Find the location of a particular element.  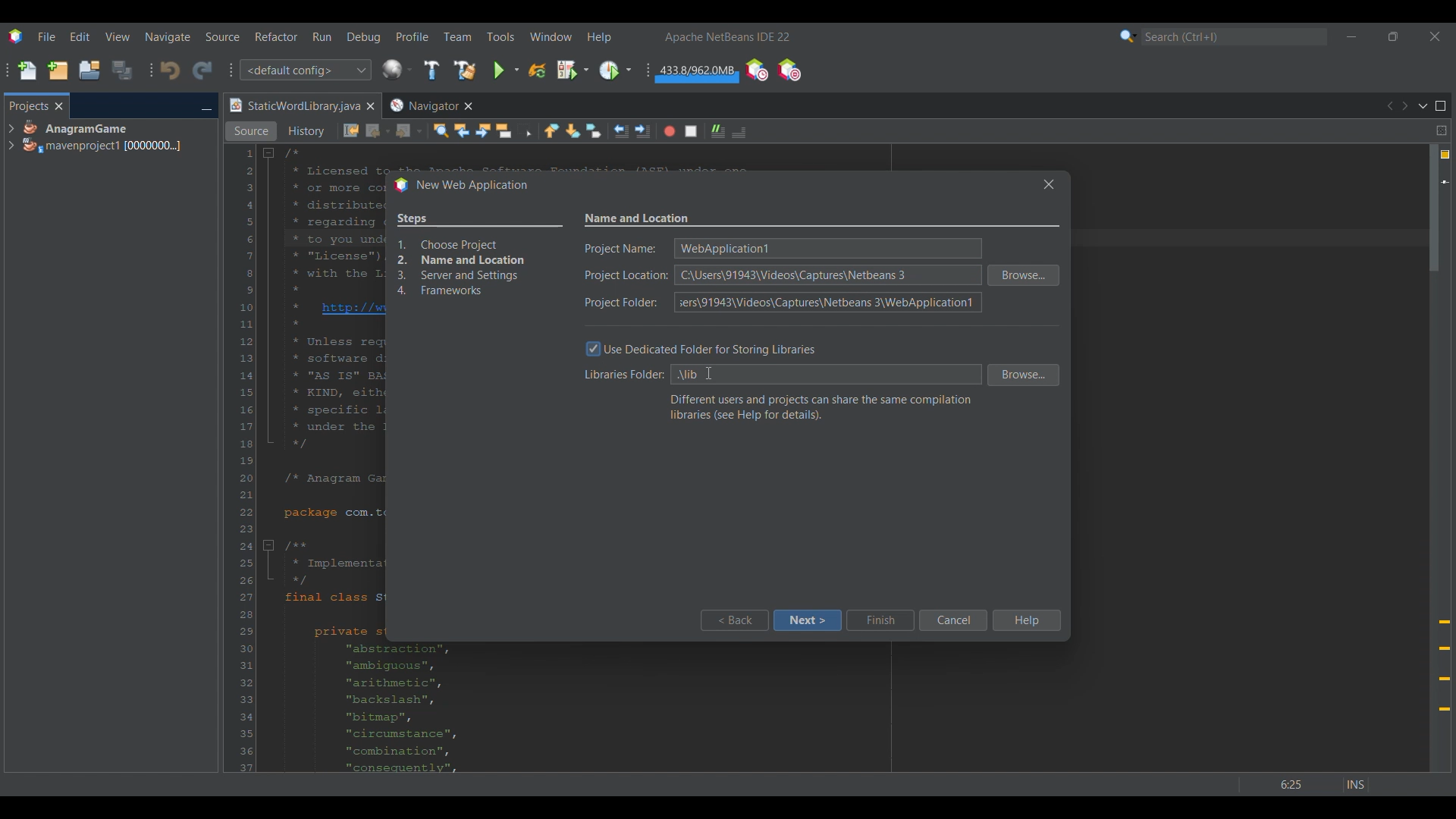

Window title changed is located at coordinates (460, 186).